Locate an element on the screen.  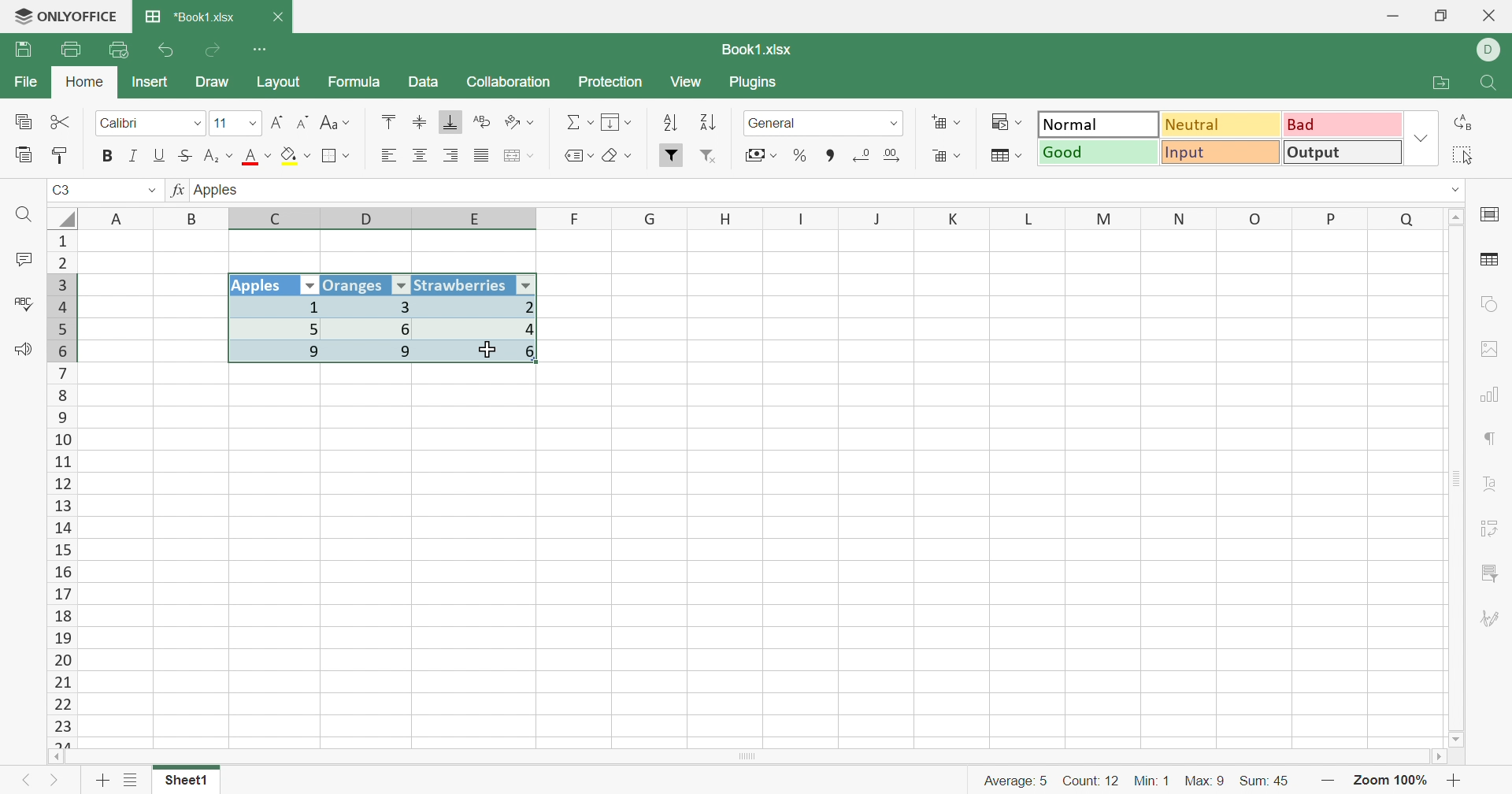
Input is located at coordinates (1225, 154).